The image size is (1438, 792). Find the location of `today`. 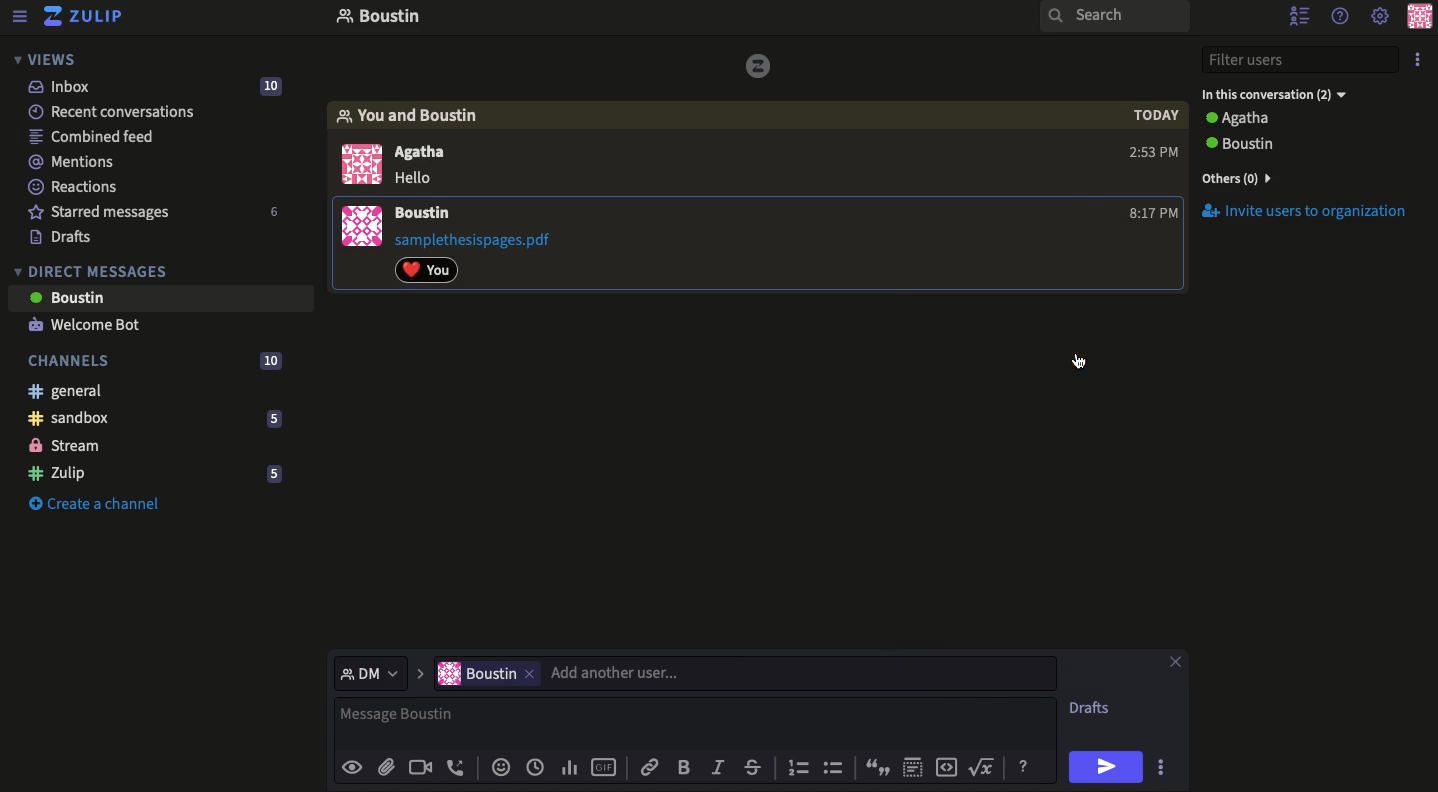

today is located at coordinates (1155, 114).